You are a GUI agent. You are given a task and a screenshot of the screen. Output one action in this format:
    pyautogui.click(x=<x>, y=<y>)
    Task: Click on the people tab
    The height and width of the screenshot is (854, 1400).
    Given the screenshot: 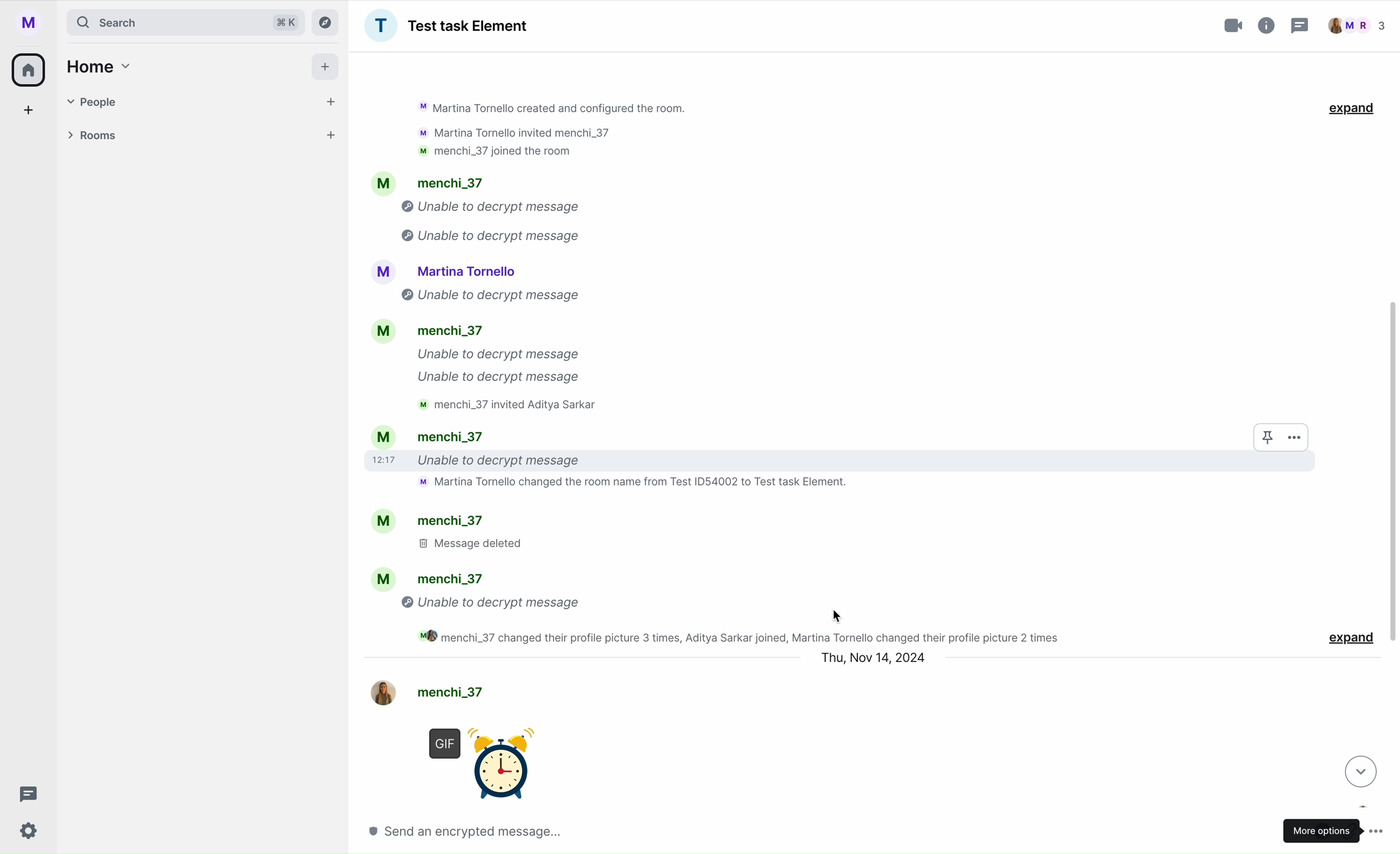 What is the action you would take?
    pyautogui.click(x=203, y=102)
    